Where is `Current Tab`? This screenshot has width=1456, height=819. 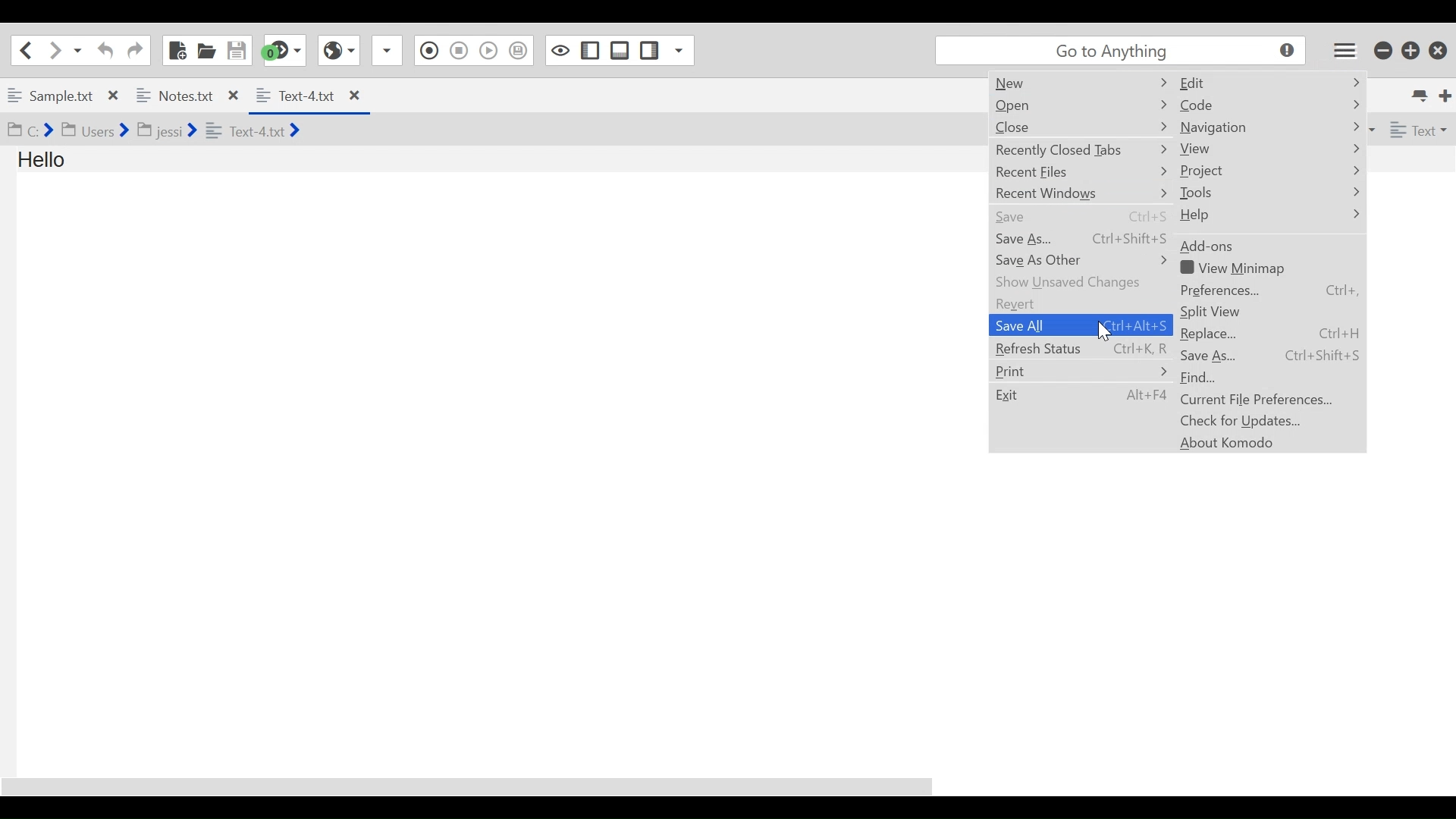 Current Tab is located at coordinates (307, 96).